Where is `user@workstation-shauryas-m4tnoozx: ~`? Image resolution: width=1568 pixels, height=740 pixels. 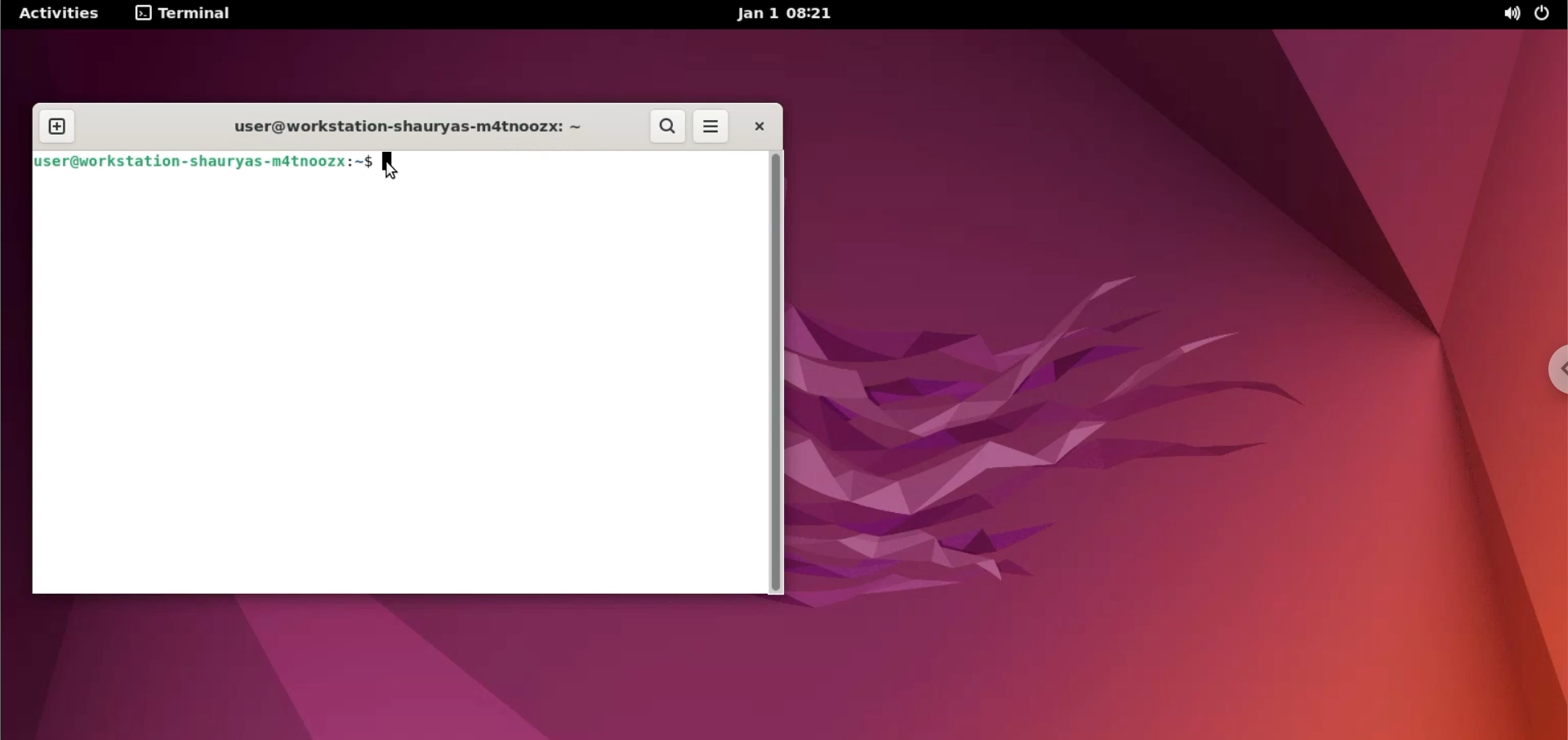
user@workstation-shauryas-m4tnoozx: ~ is located at coordinates (410, 123).